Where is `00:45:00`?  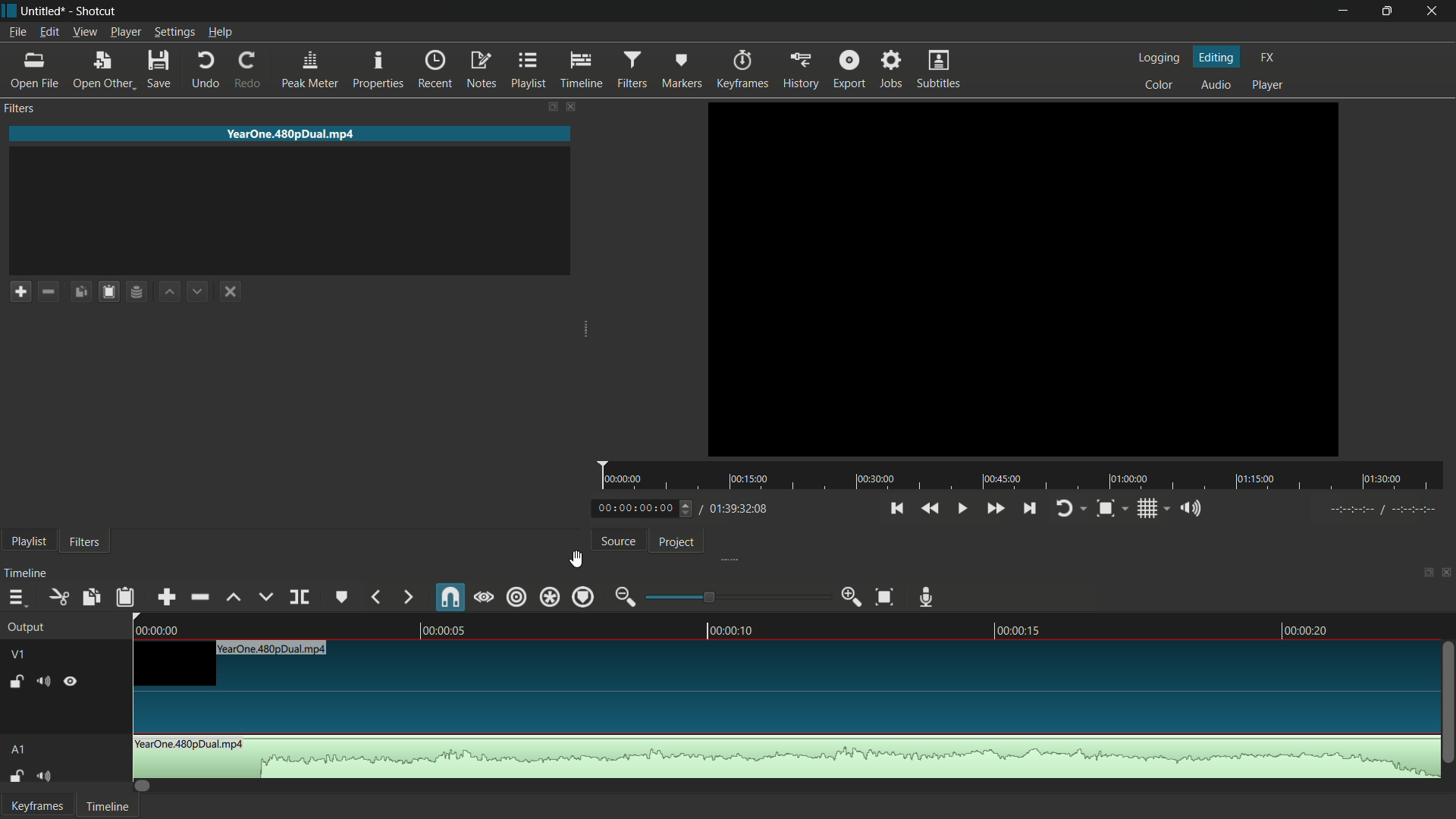
00:45:00 is located at coordinates (1000, 479).